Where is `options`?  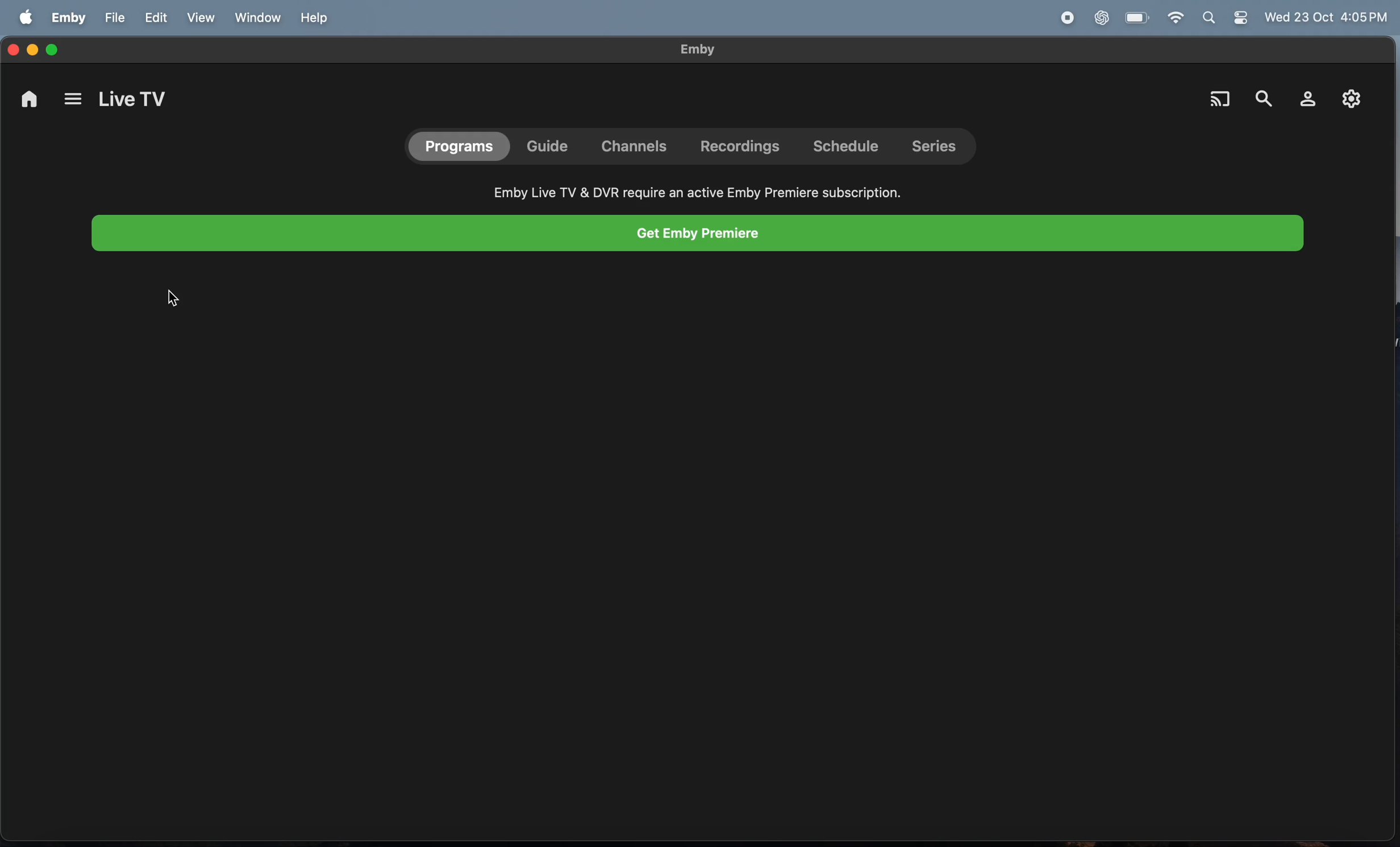
options is located at coordinates (72, 101).